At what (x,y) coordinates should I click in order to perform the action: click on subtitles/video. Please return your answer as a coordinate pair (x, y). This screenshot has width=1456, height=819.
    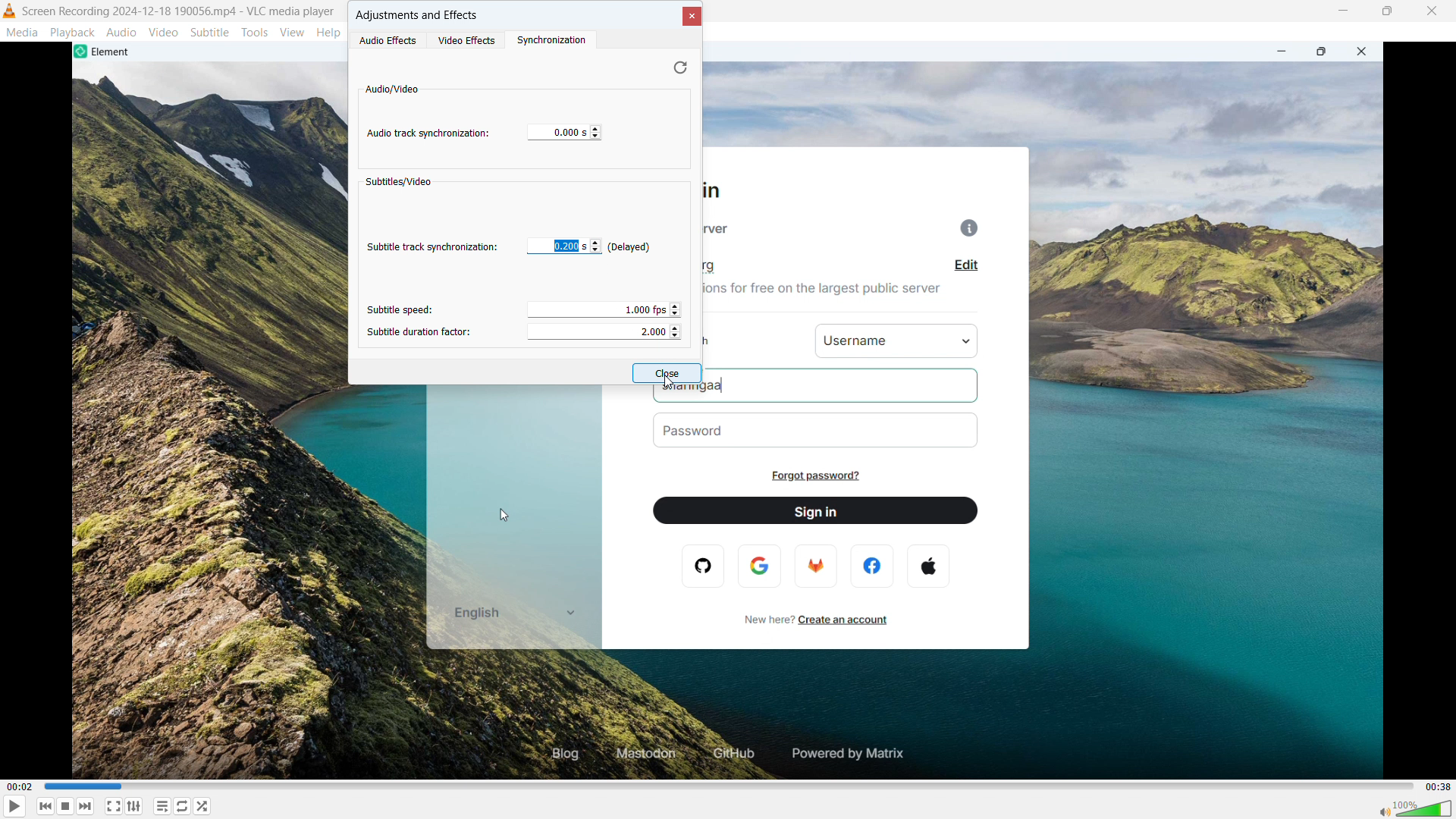
    Looking at the image, I should click on (399, 182).